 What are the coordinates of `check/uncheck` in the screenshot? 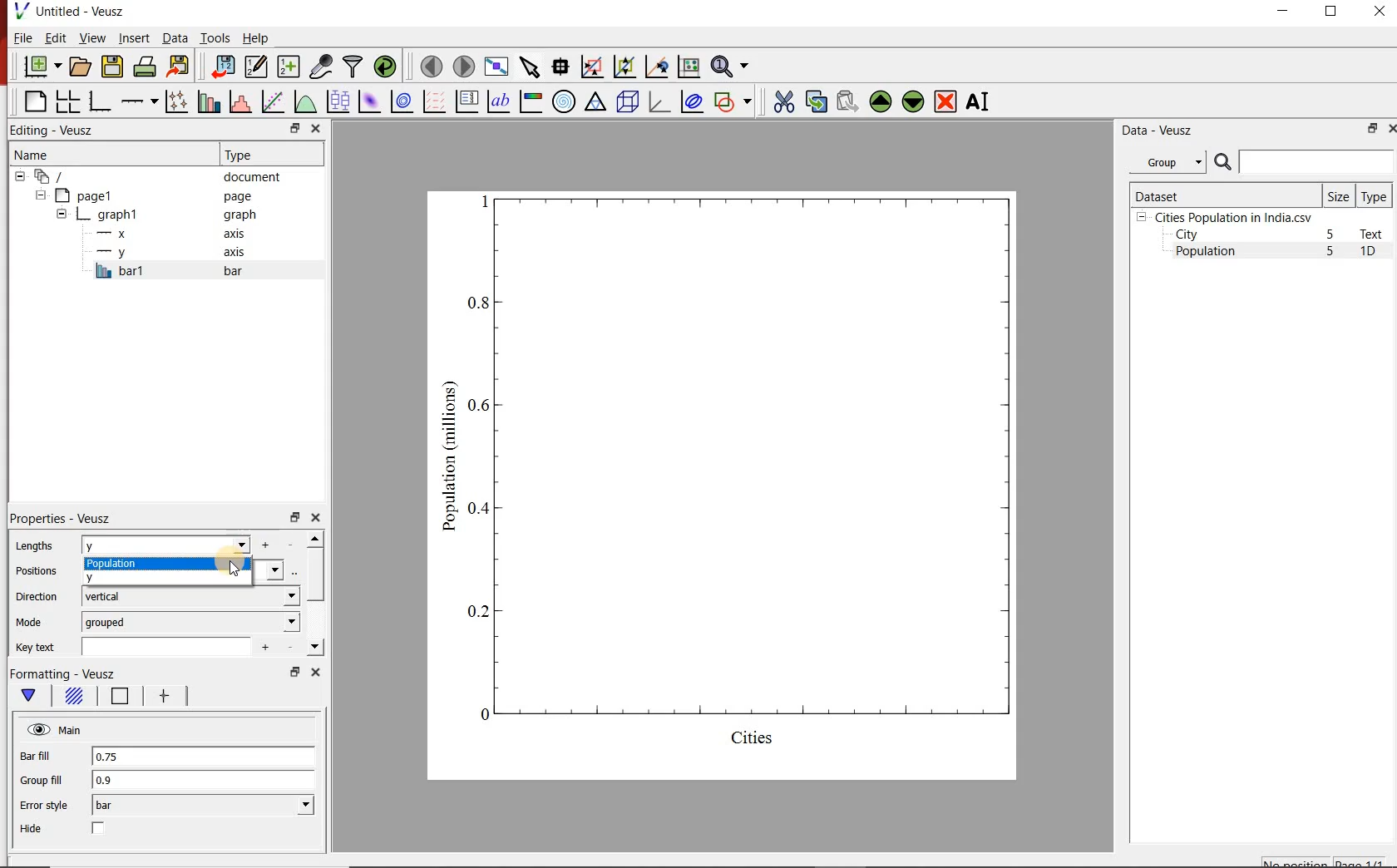 It's located at (99, 830).